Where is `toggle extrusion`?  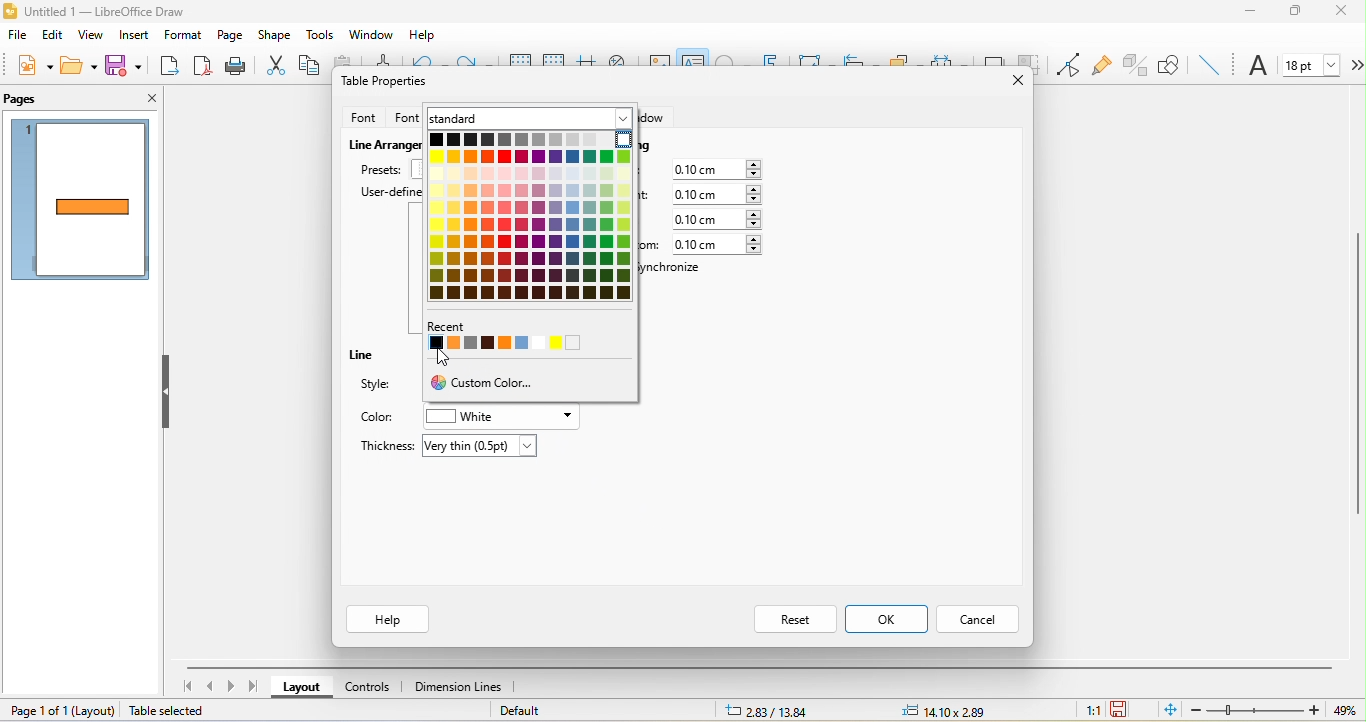 toggle extrusion is located at coordinates (1133, 64).